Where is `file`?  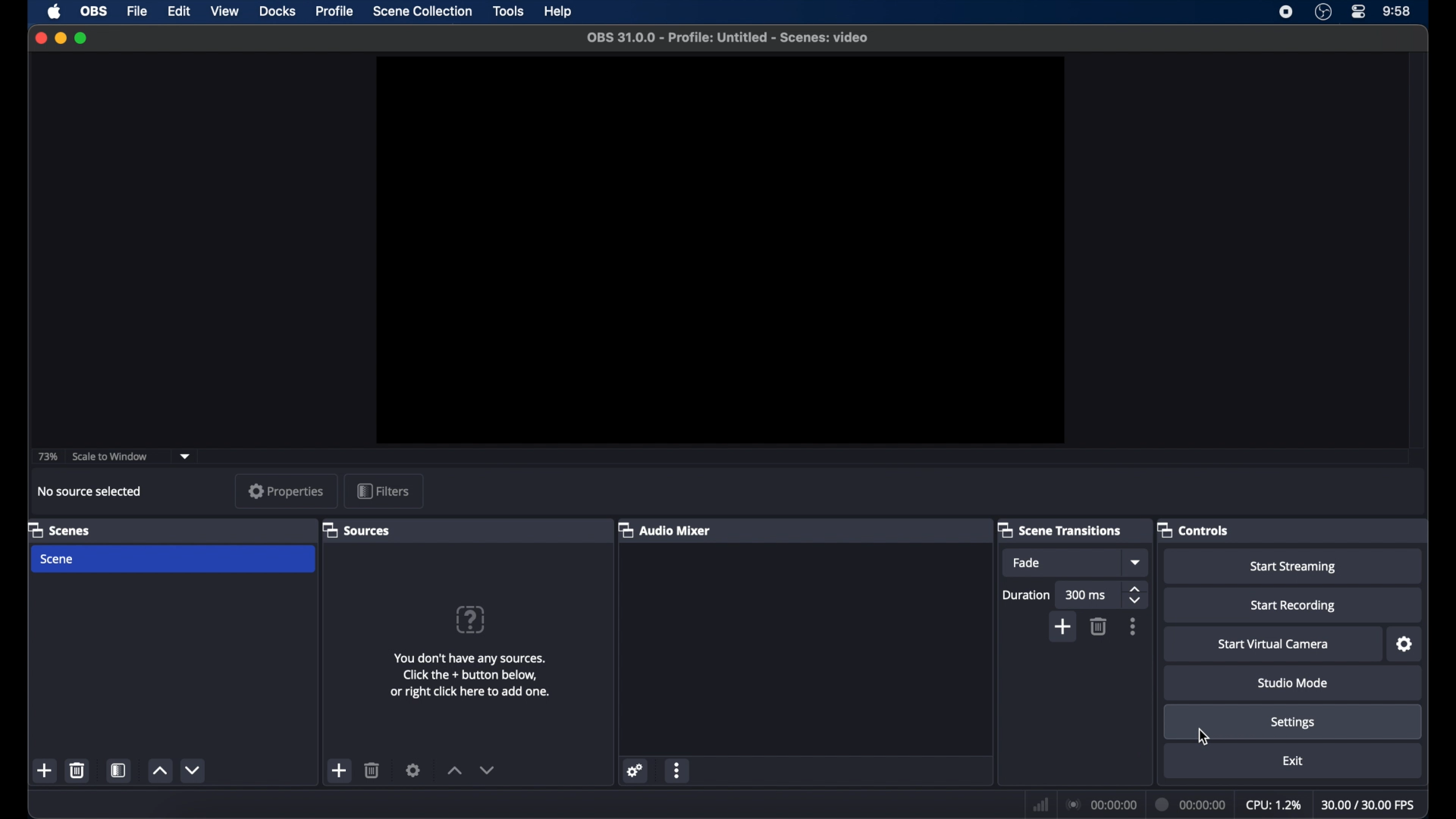
file is located at coordinates (137, 10).